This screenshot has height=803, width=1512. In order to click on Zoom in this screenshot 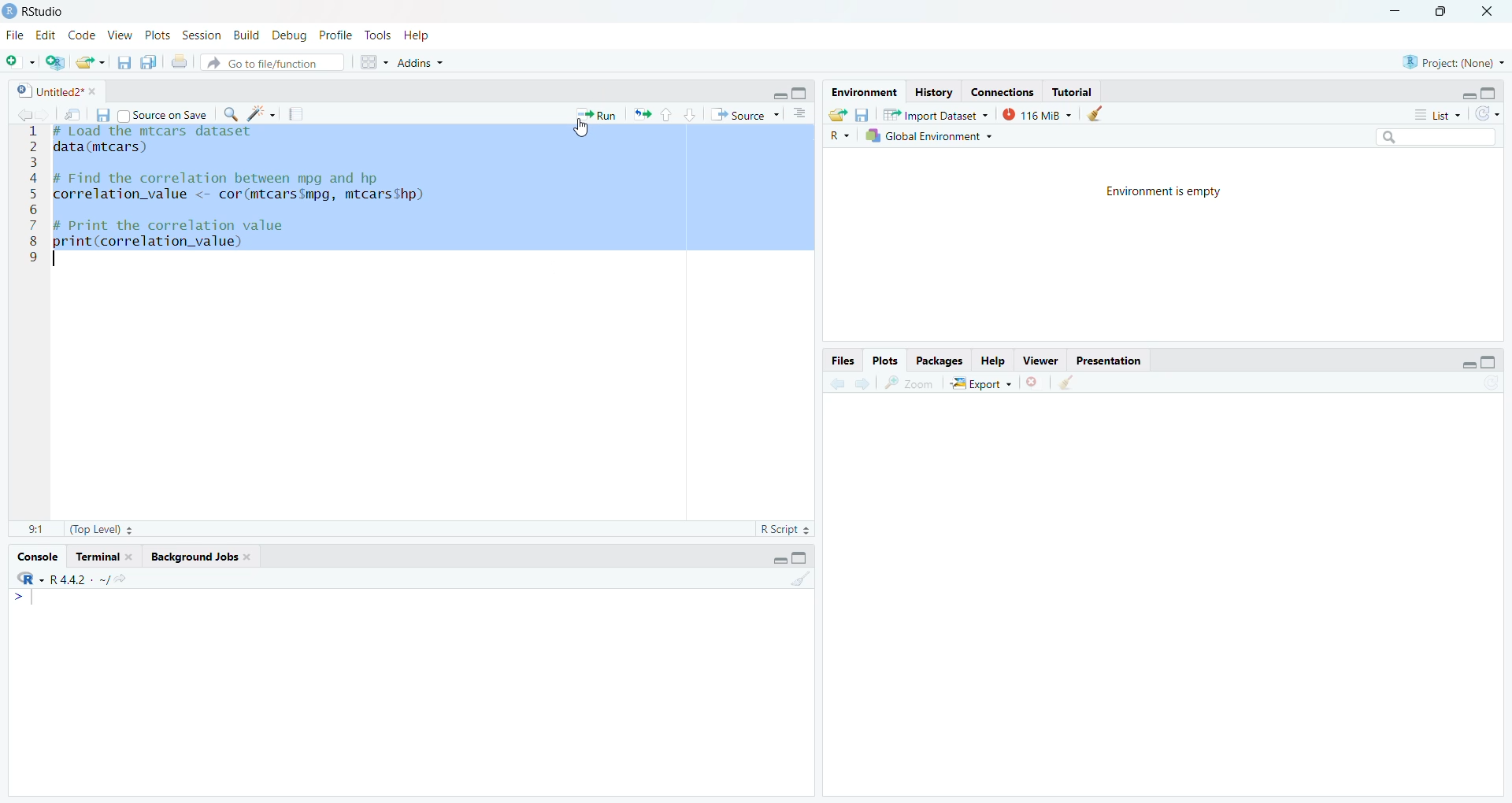, I will do `click(910, 383)`.